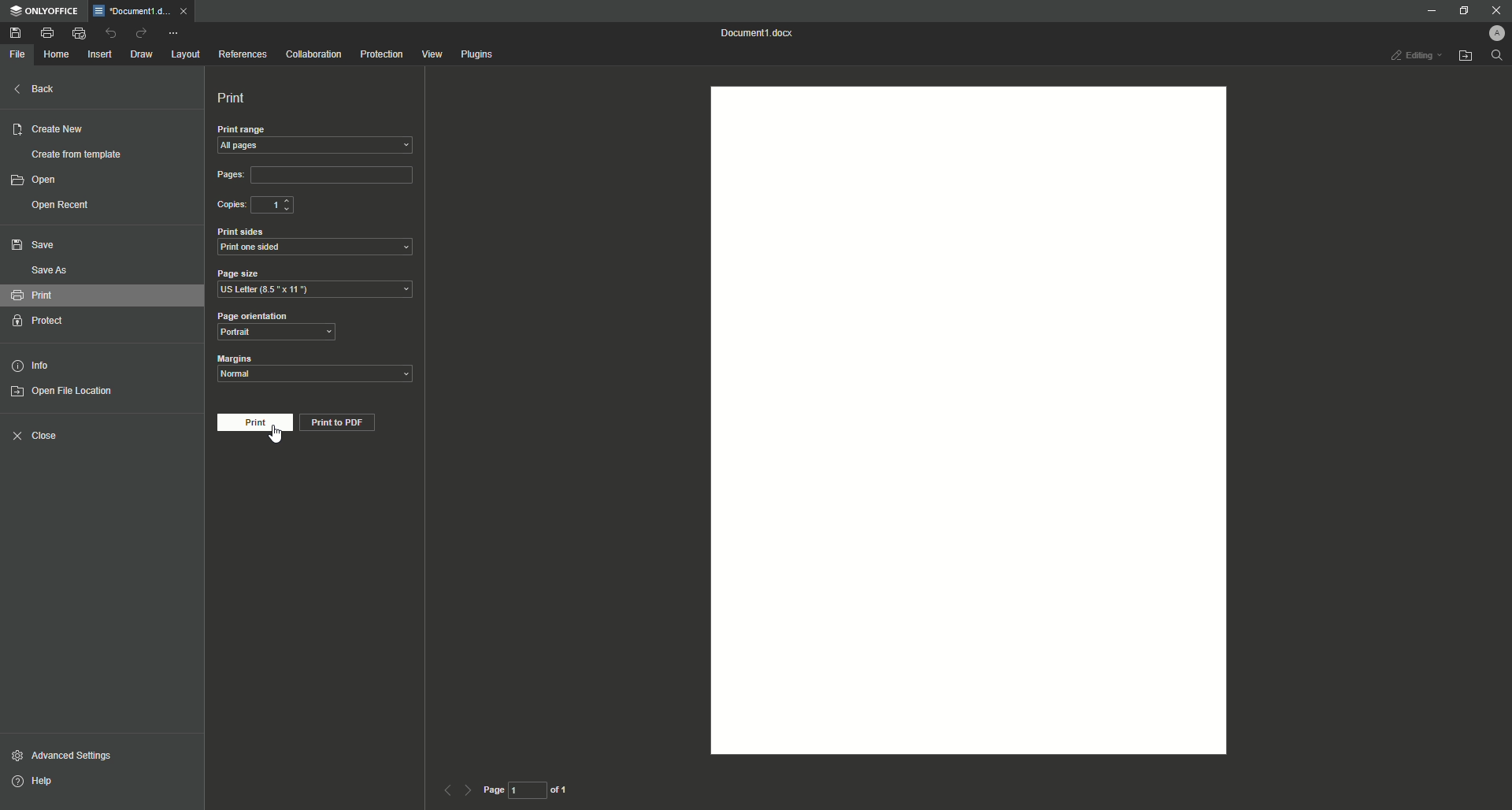  I want to click on Print One sided, so click(317, 247).